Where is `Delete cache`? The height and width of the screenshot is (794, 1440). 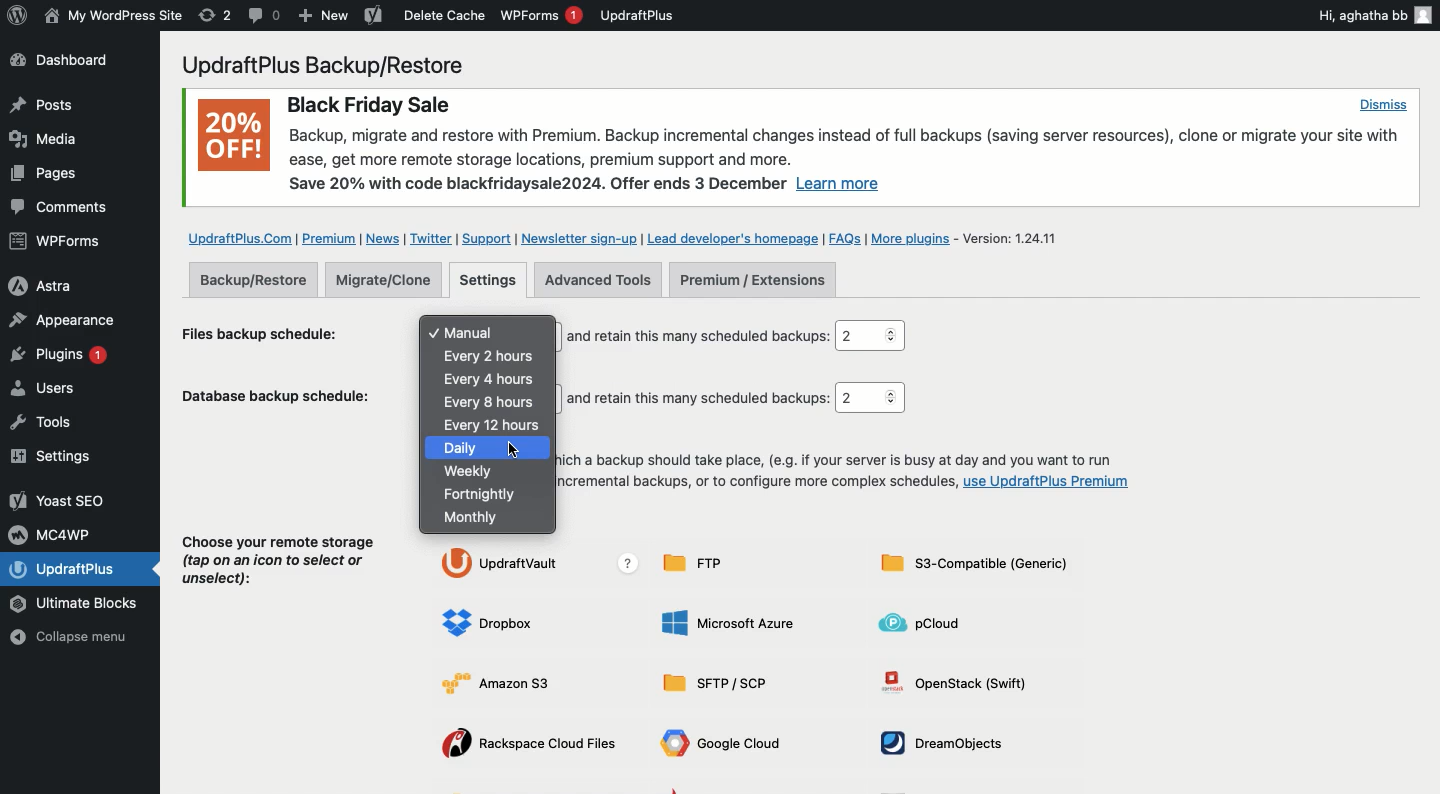 Delete cache is located at coordinates (445, 15).